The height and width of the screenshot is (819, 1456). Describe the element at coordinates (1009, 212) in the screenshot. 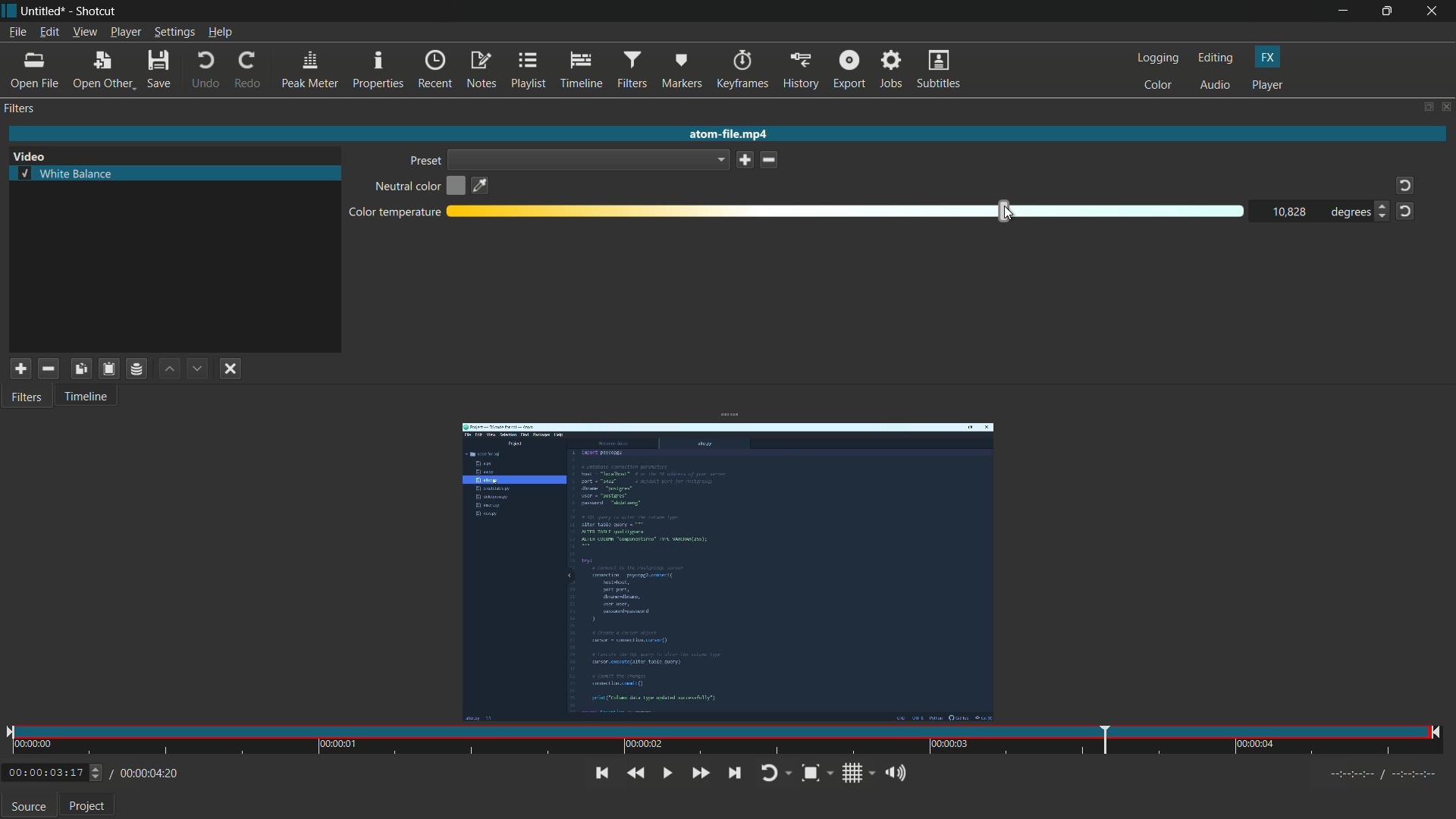

I see `cursor` at that location.